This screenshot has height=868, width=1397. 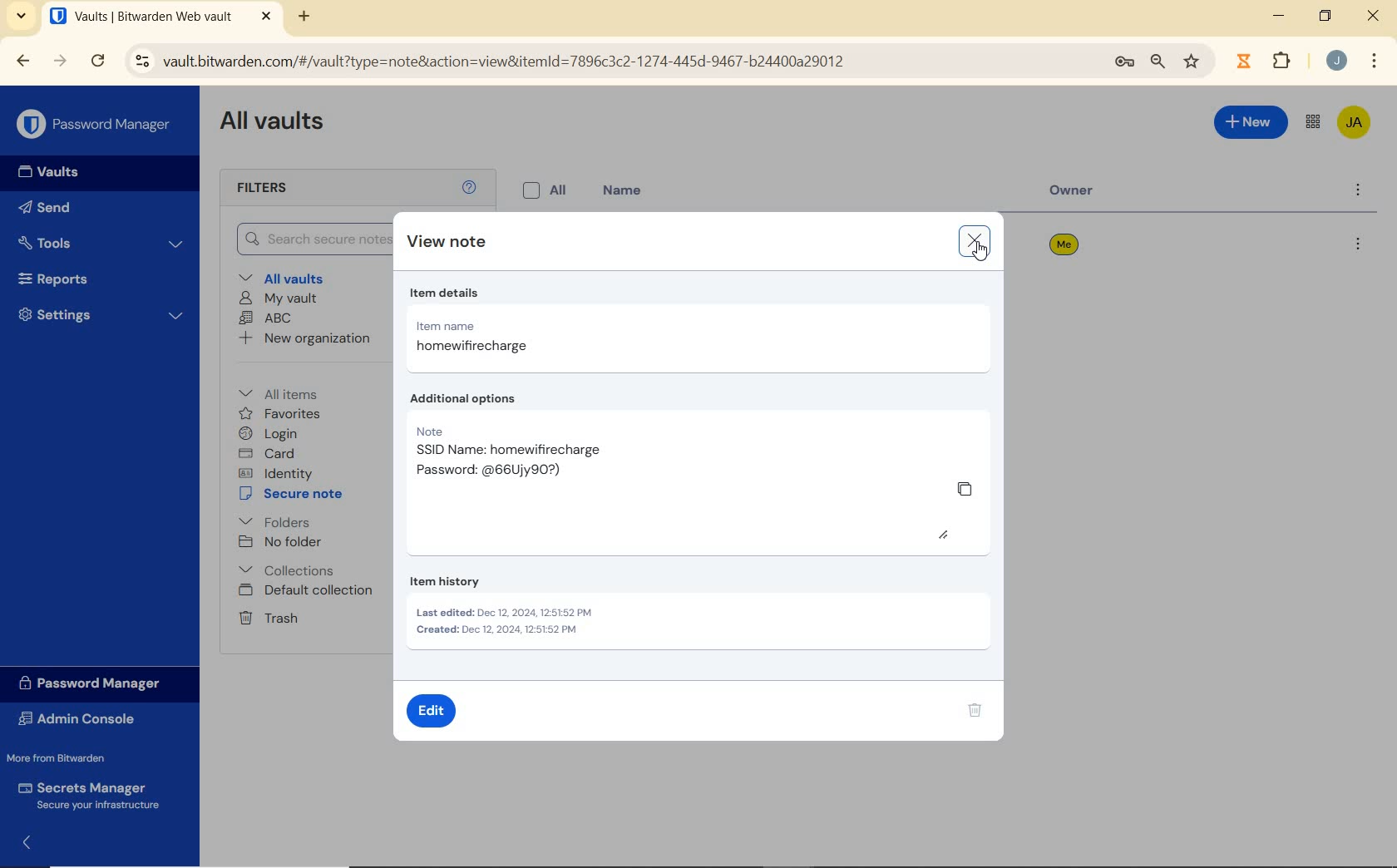 I want to click on More Options, so click(x=1375, y=59).